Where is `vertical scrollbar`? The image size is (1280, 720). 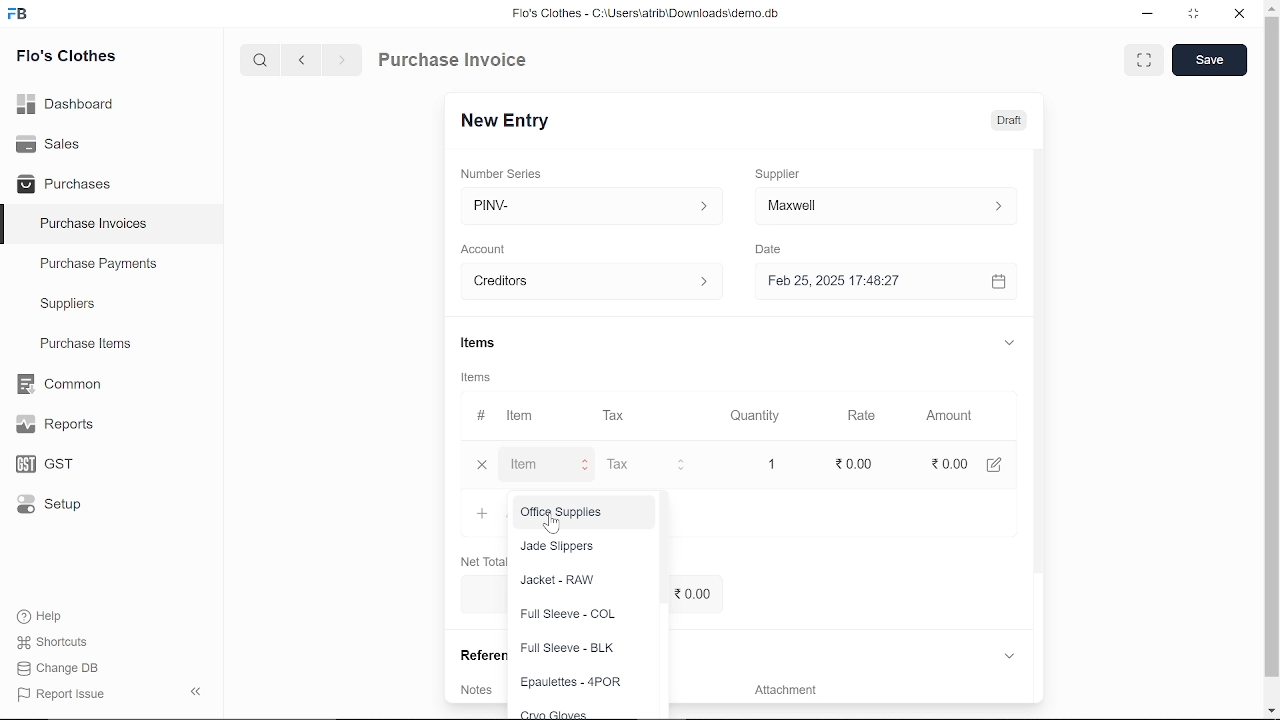
vertical scrollbar is located at coordinates (667, 548).